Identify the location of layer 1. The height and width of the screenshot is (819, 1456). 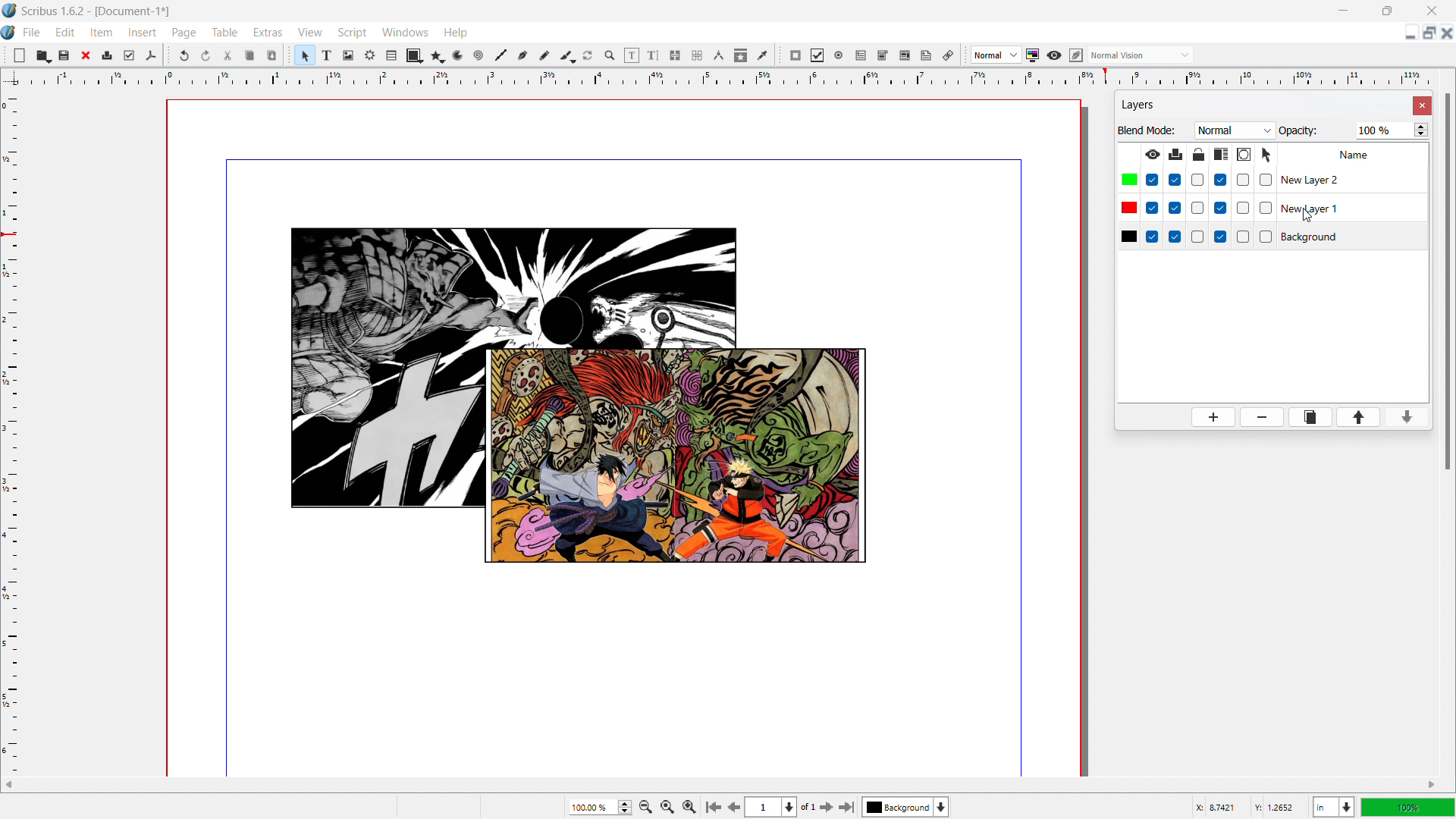
(1351, 208).